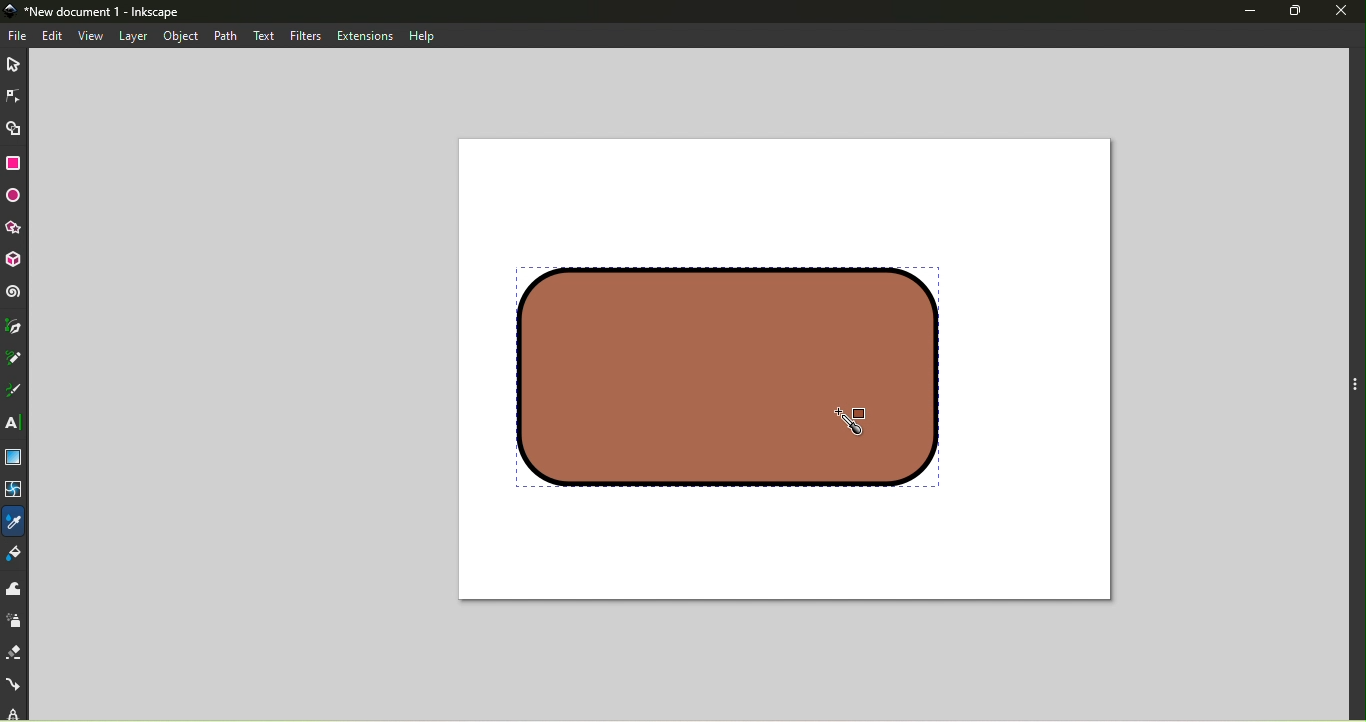 This screenshot has width=1366, height=722. I want to click on Text tool, so click(15, 424).